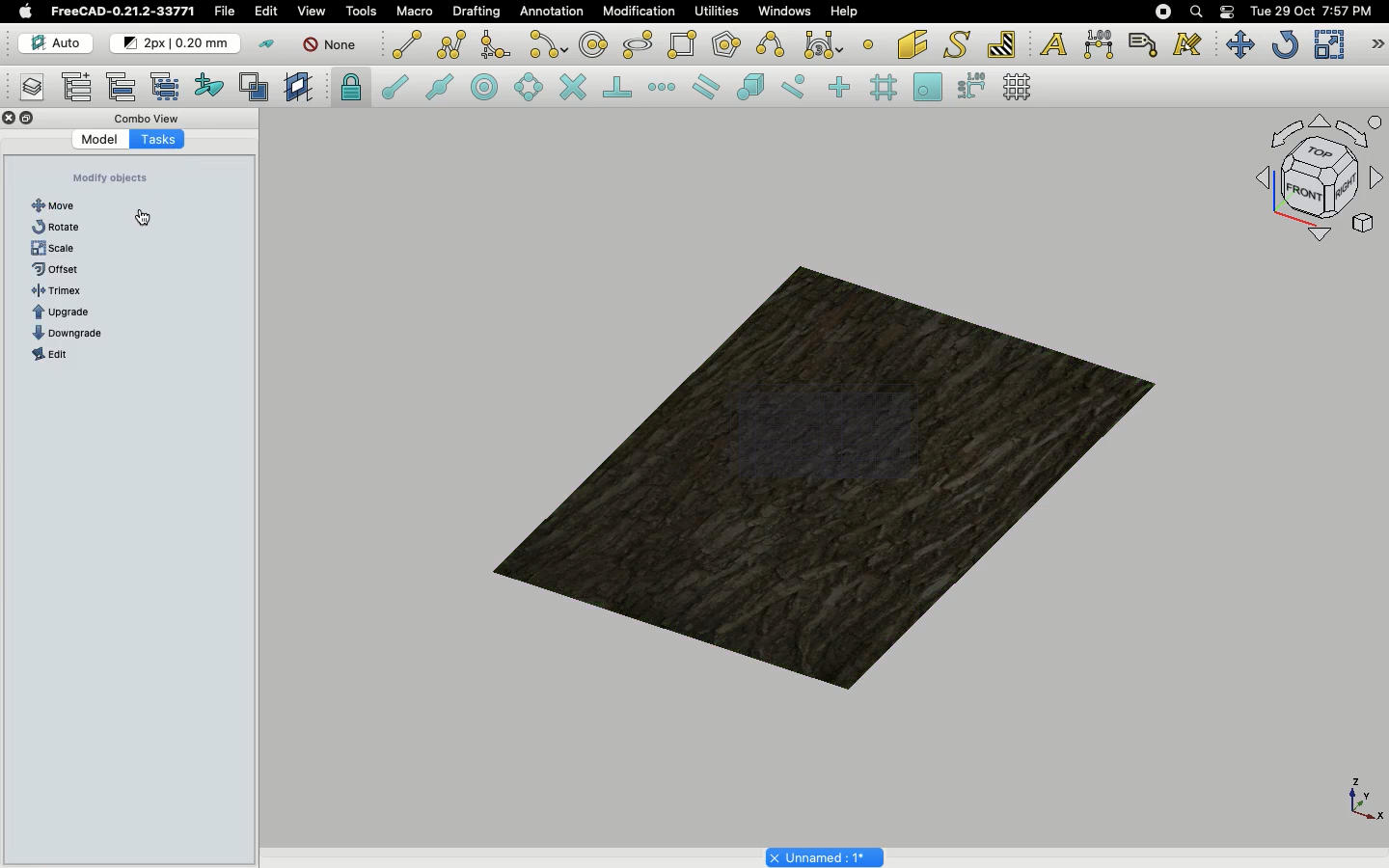 The width and height of the screenshot is (1389, 868). What do you see at coordinates (157, 138) in the screenshot?
I see `Tasks` at bounding box center [157, 138].